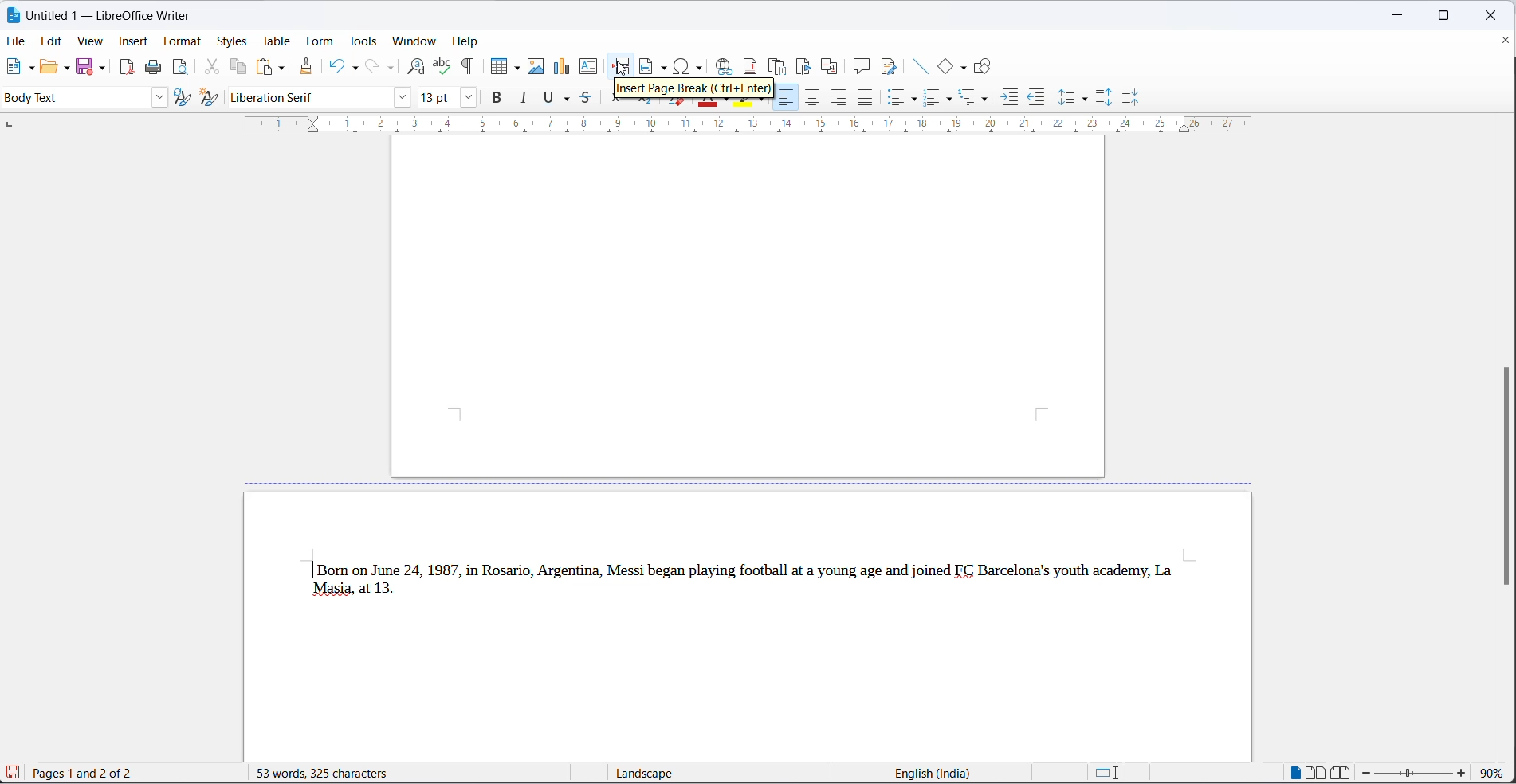  What do you see at coordinates (1448, 16) in the screenshot?
I see `maximize` at bounding box center [1448, 16].